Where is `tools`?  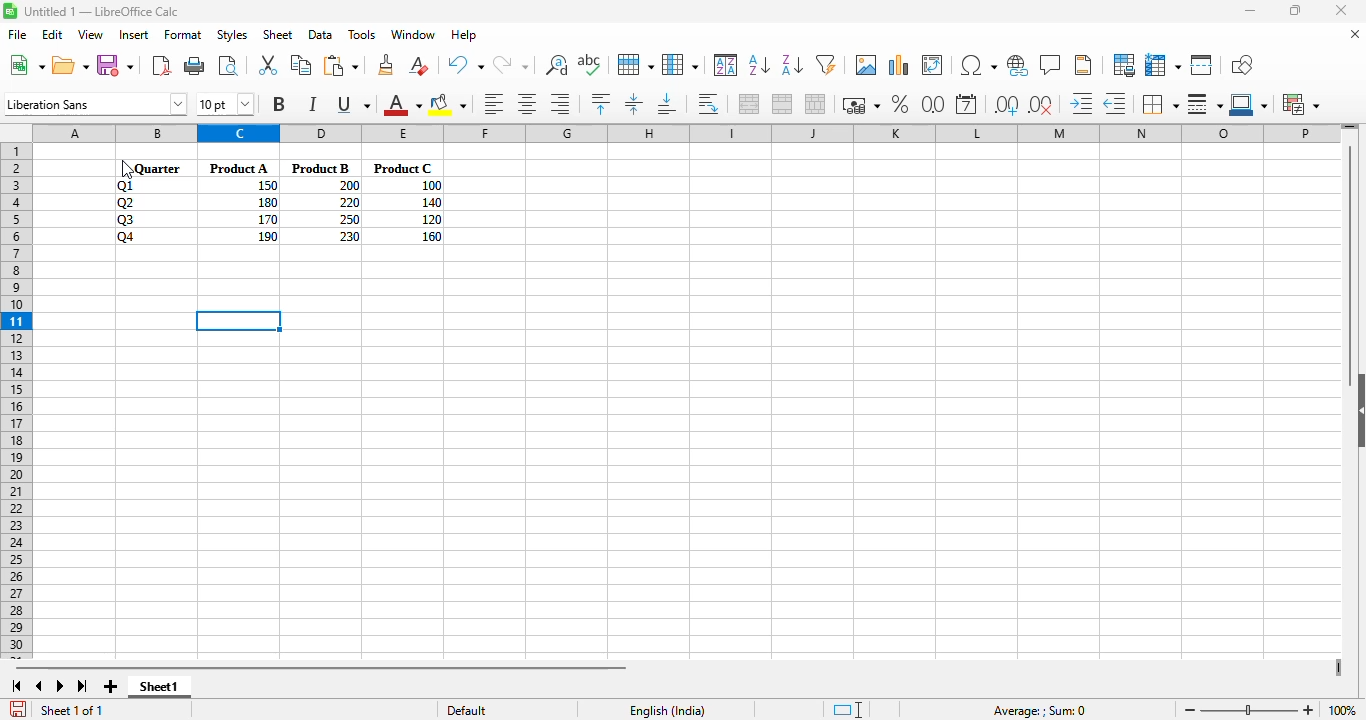
tools is located at coordinates (361, 34).